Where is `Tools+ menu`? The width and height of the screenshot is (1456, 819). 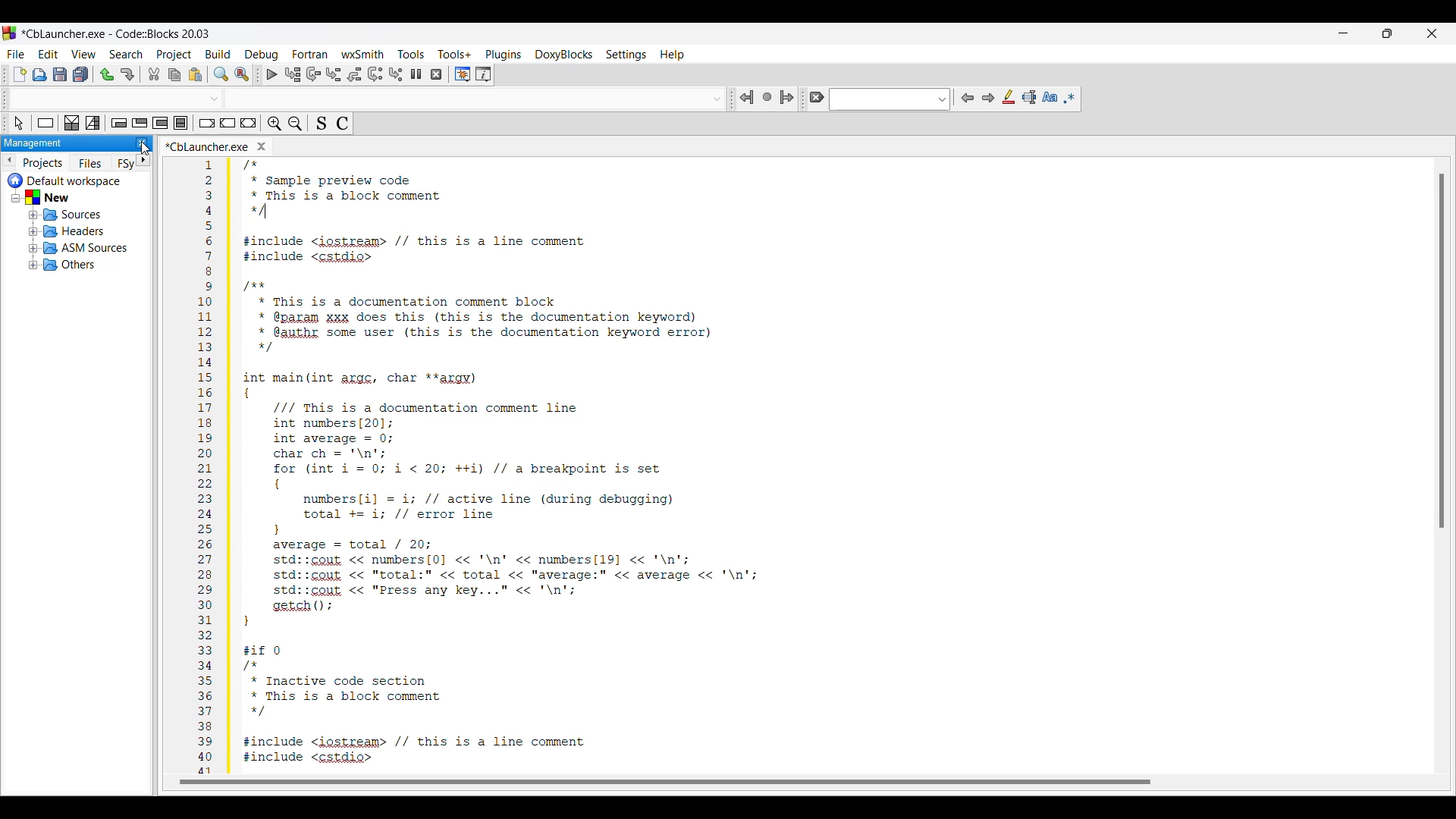 Tools+ menu is located at coordinates (454, 55).